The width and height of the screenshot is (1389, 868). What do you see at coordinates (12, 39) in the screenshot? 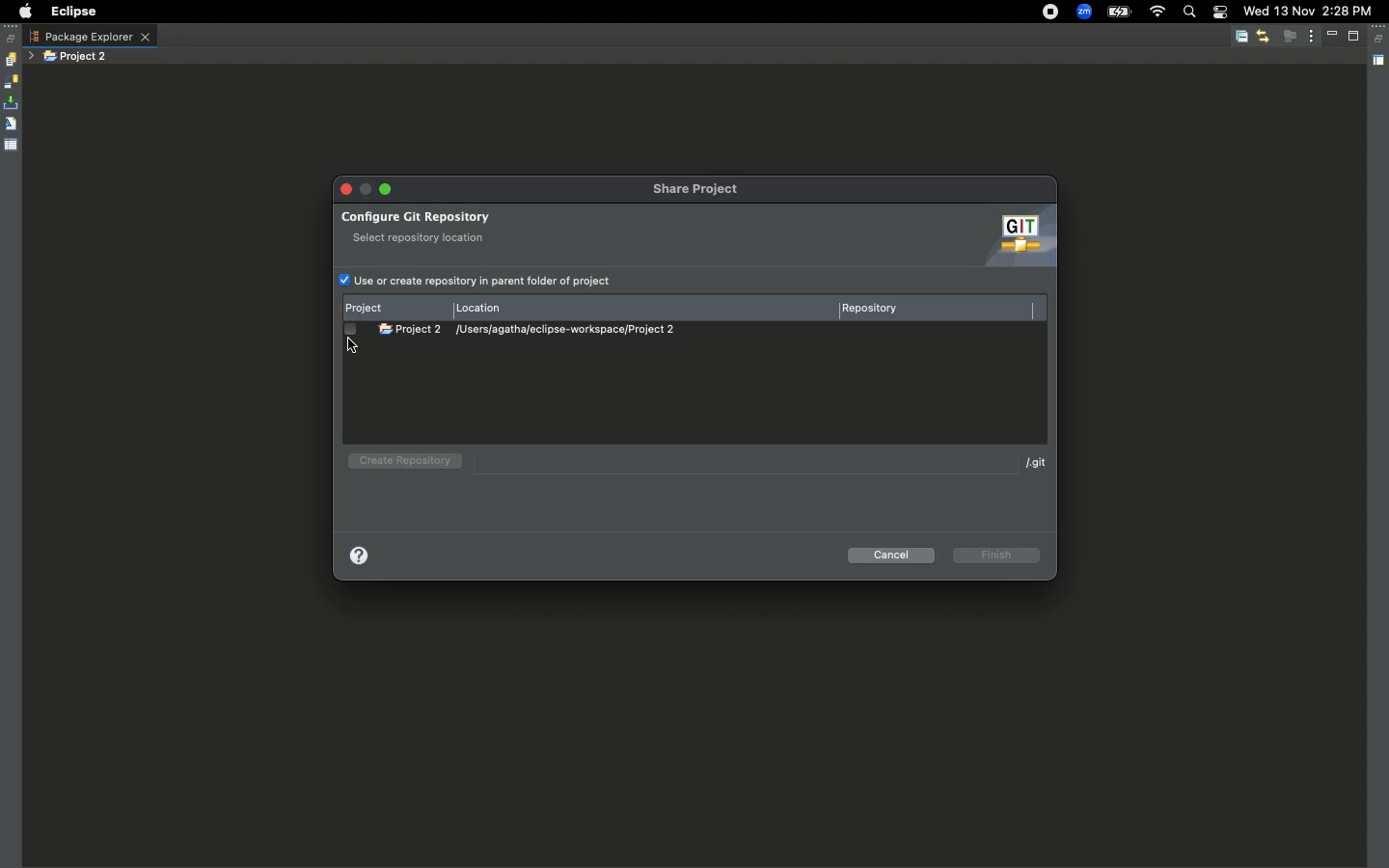
I see `Restore` at bounding box center [12, 39].